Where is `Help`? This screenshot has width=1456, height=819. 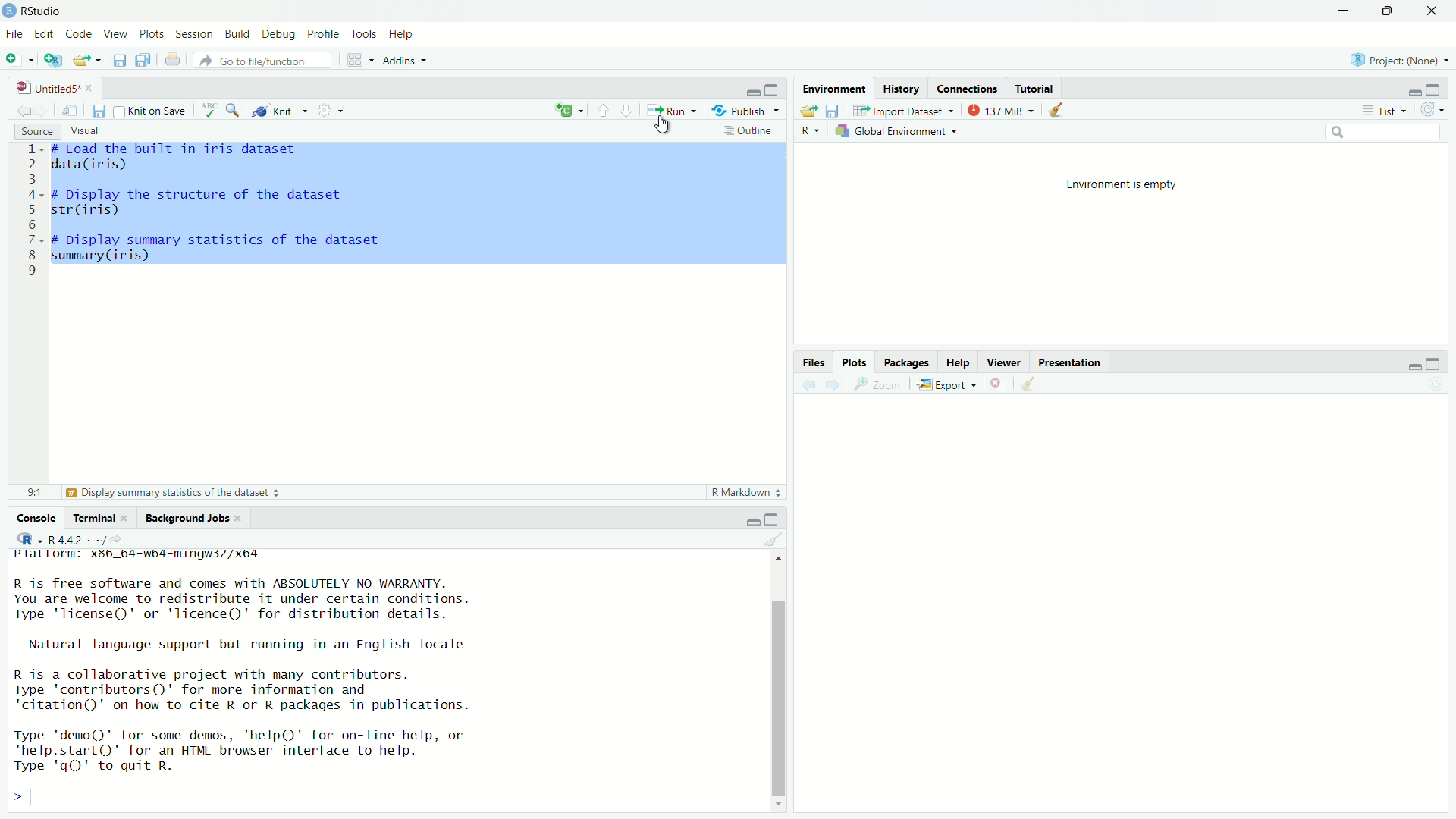
Help is located at coordinates (958, 361).